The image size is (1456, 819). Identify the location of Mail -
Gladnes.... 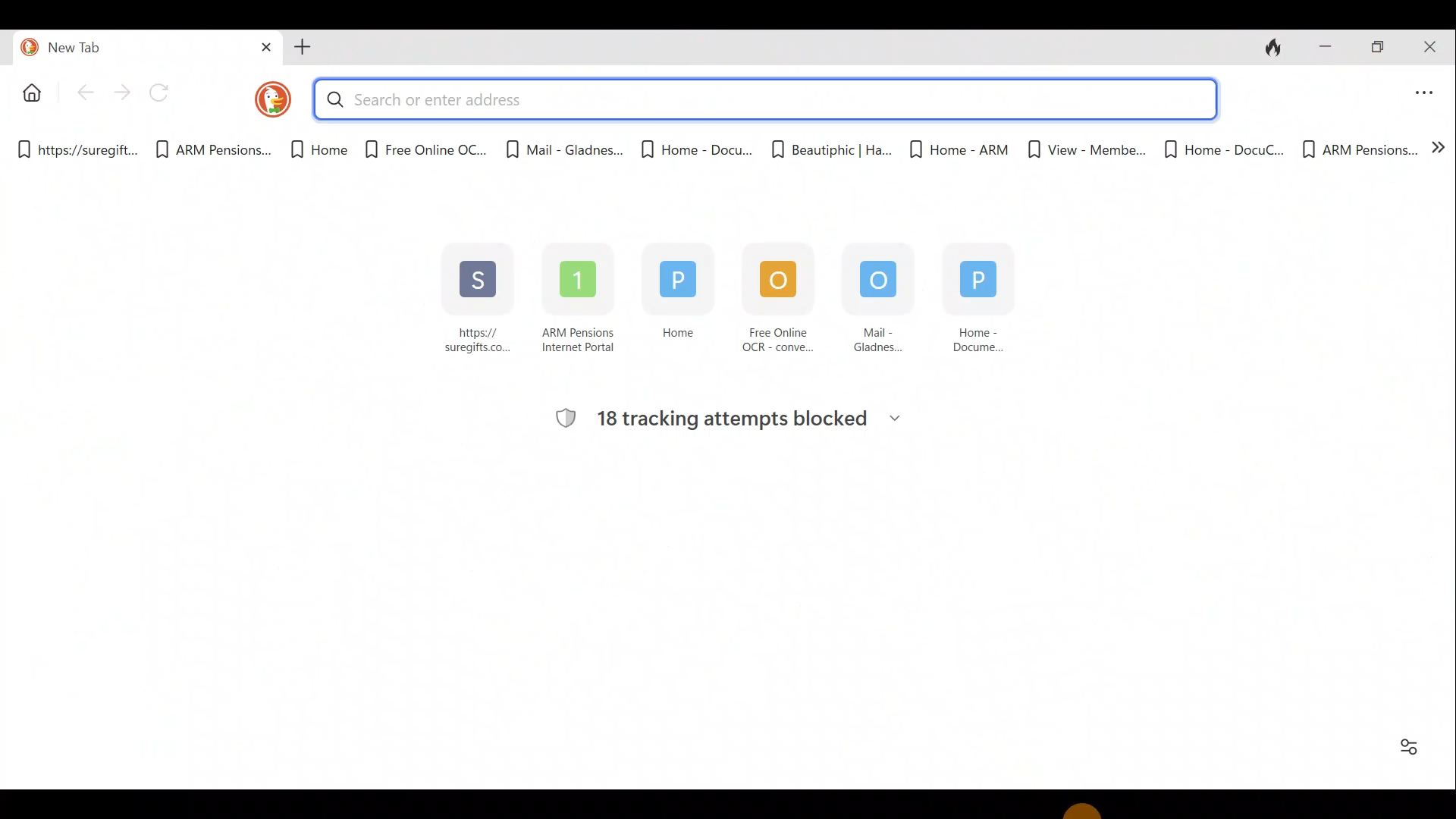
(869, 304).